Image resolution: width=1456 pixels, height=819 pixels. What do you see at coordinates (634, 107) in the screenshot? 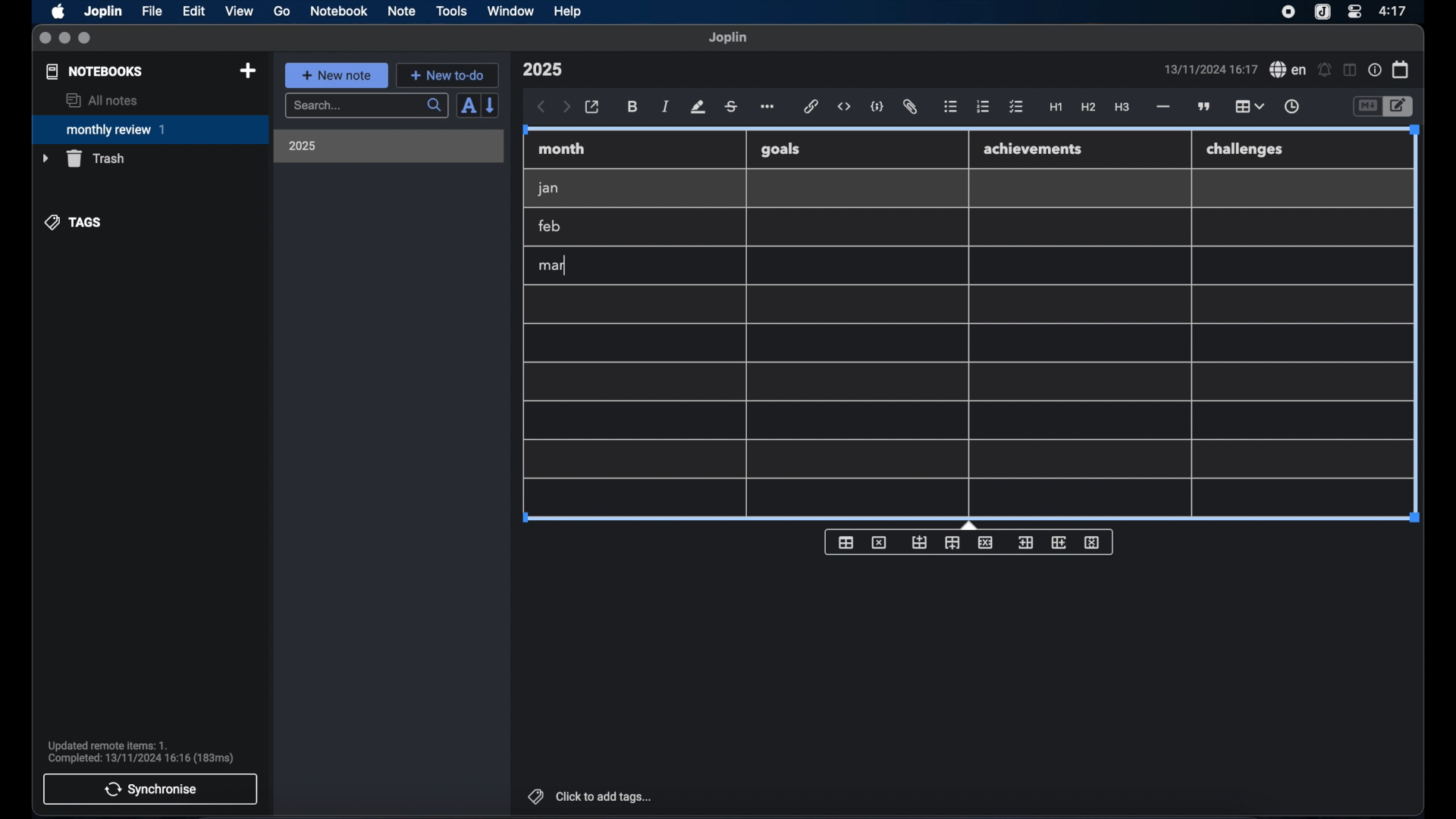
I see `bold` at bounding box center [634, 107].